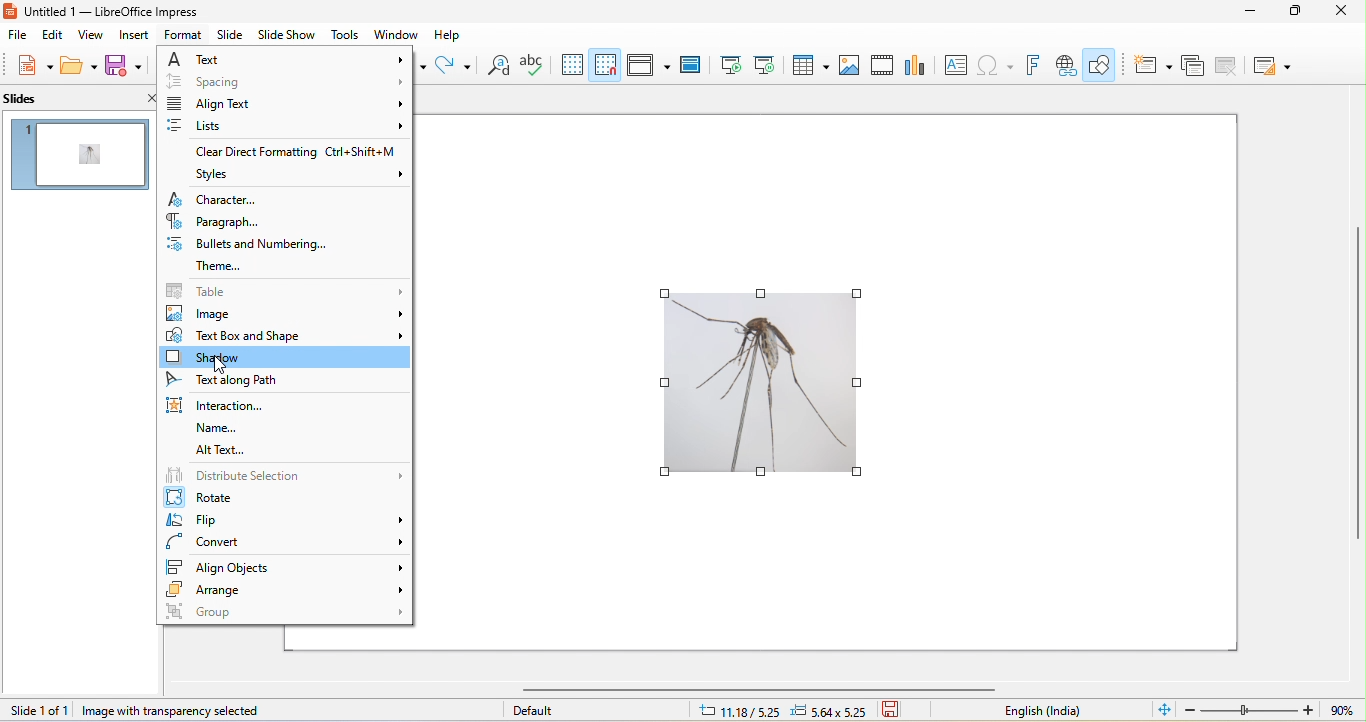 This screenshot has width=1366, height=722. Describe the element at coordinates (898, 710) in the screenshot. I see `save` at that location.